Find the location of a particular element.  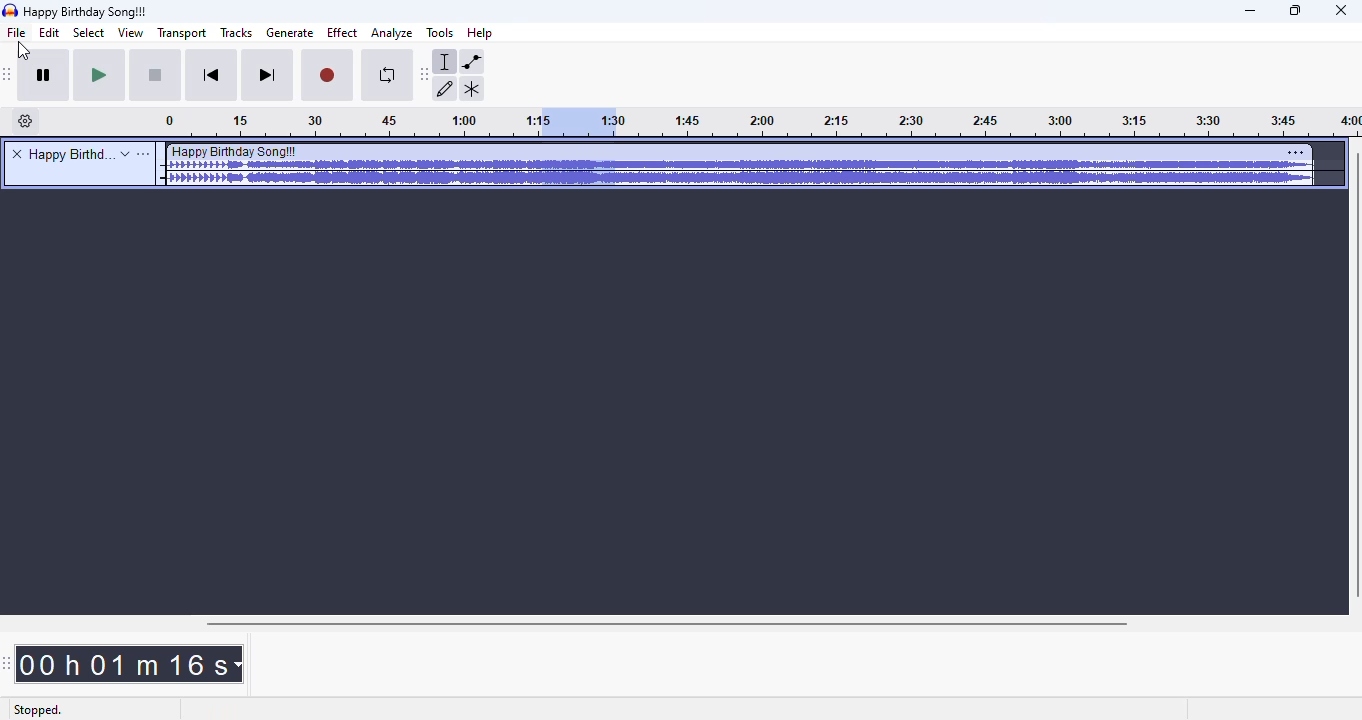

audacity tools toolbar is located at coordinates (424, 75).